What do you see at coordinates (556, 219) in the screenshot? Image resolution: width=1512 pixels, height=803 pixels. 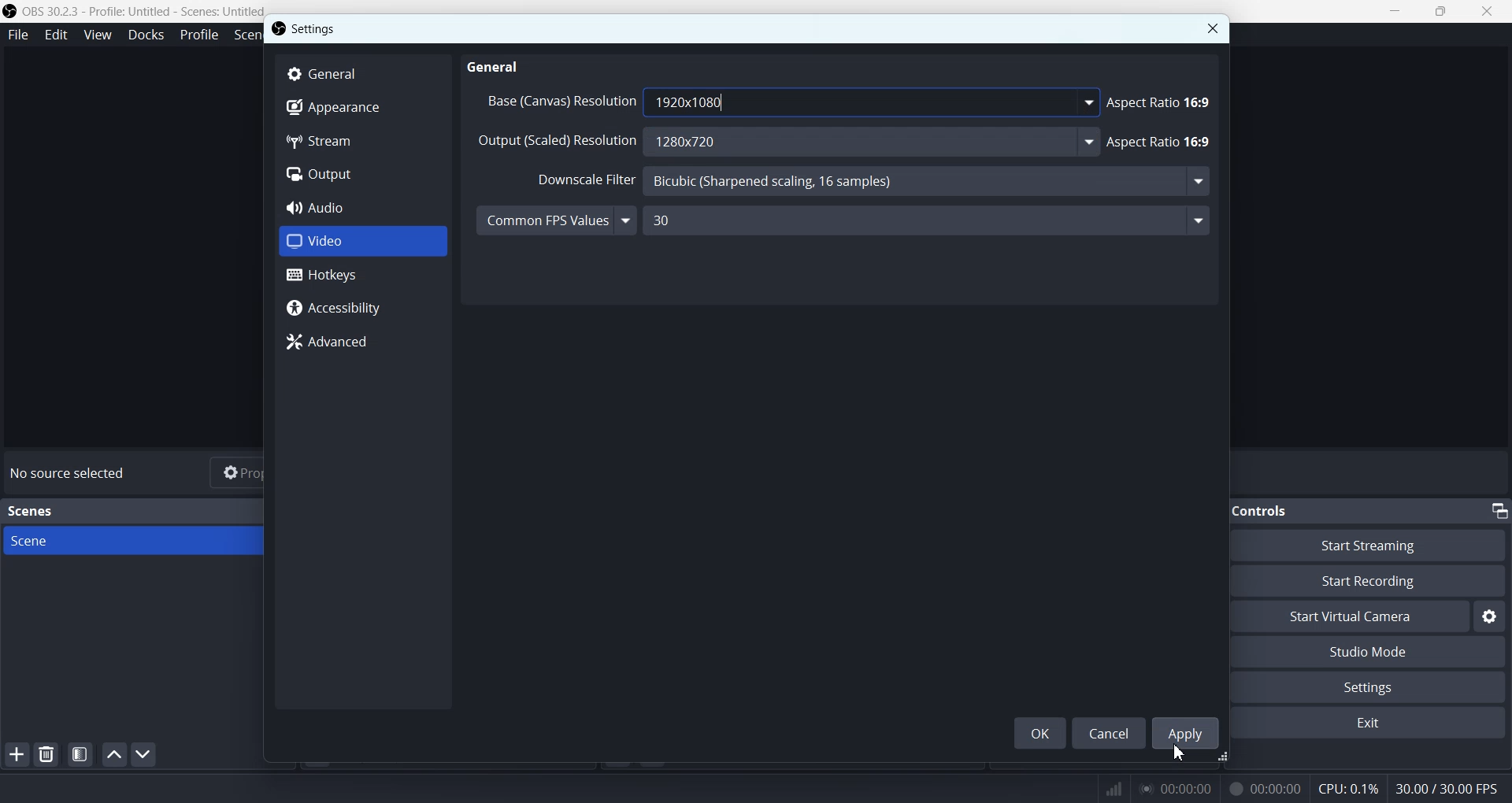 I see `Common FPS Values` at bounding box center [556, 219].